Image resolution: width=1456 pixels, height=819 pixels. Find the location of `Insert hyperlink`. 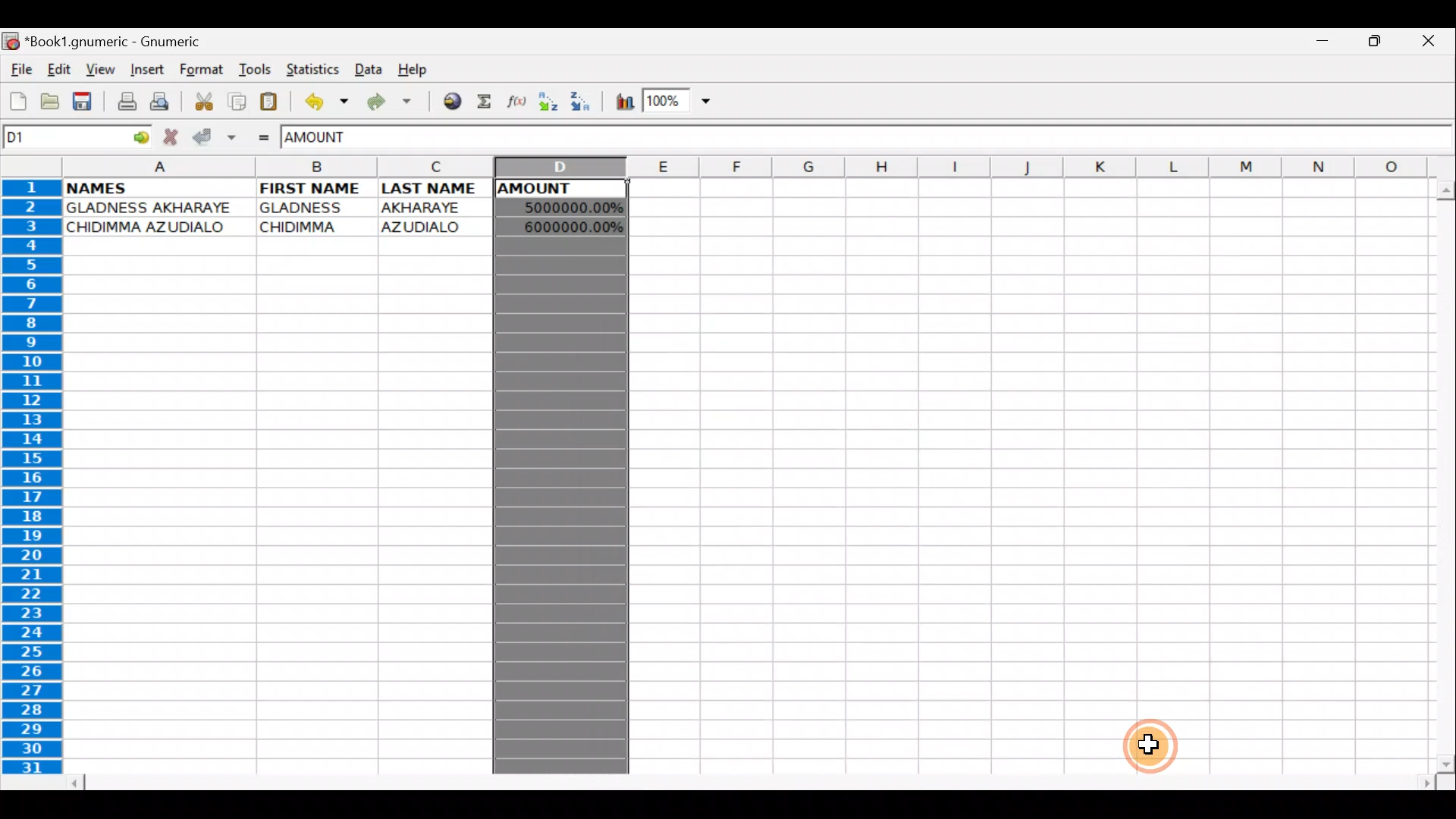

Insert hyperlink is located at coordinates (447, 102).